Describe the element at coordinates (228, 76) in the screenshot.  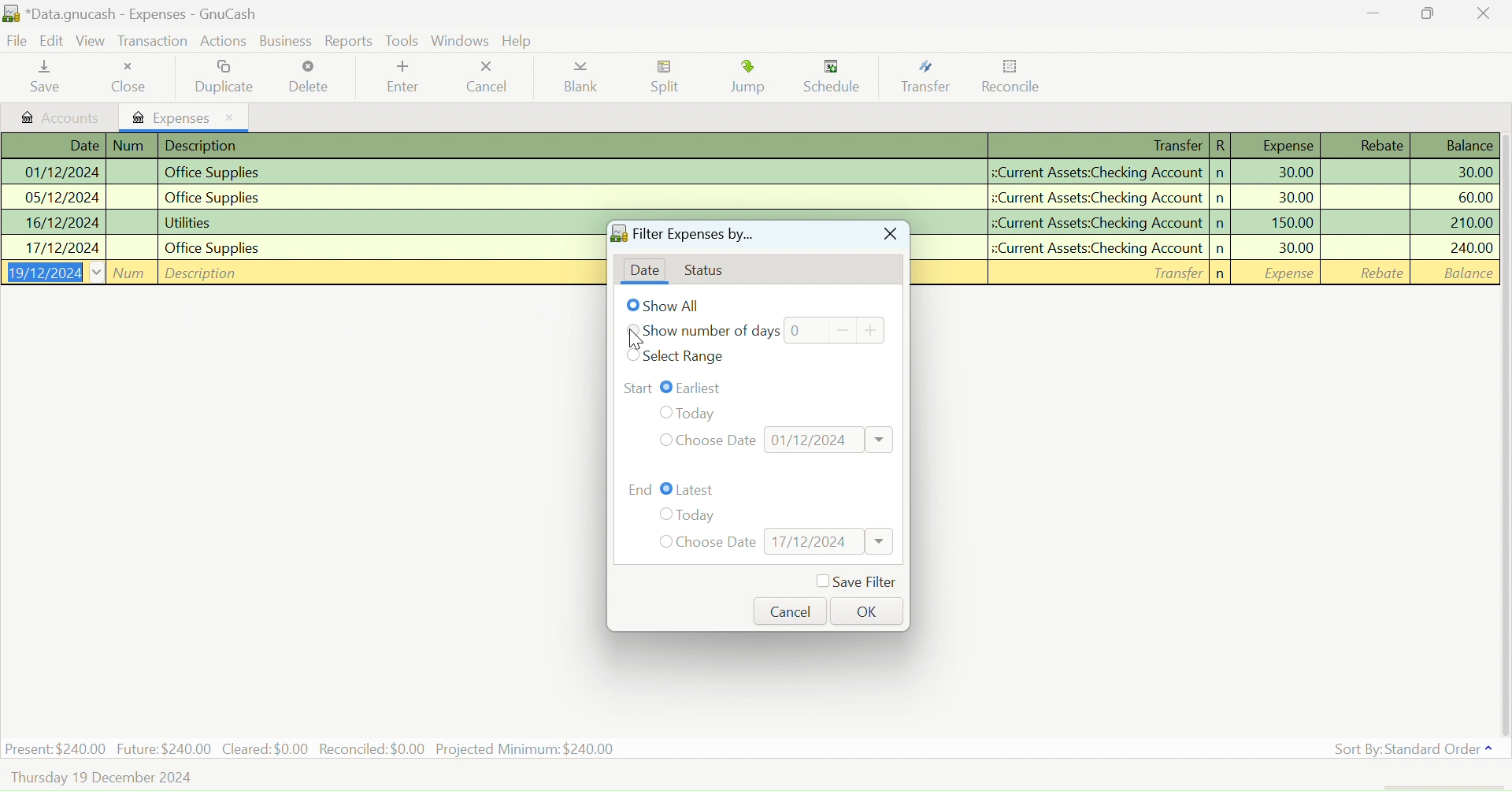
I see `Duplicate` at that location.